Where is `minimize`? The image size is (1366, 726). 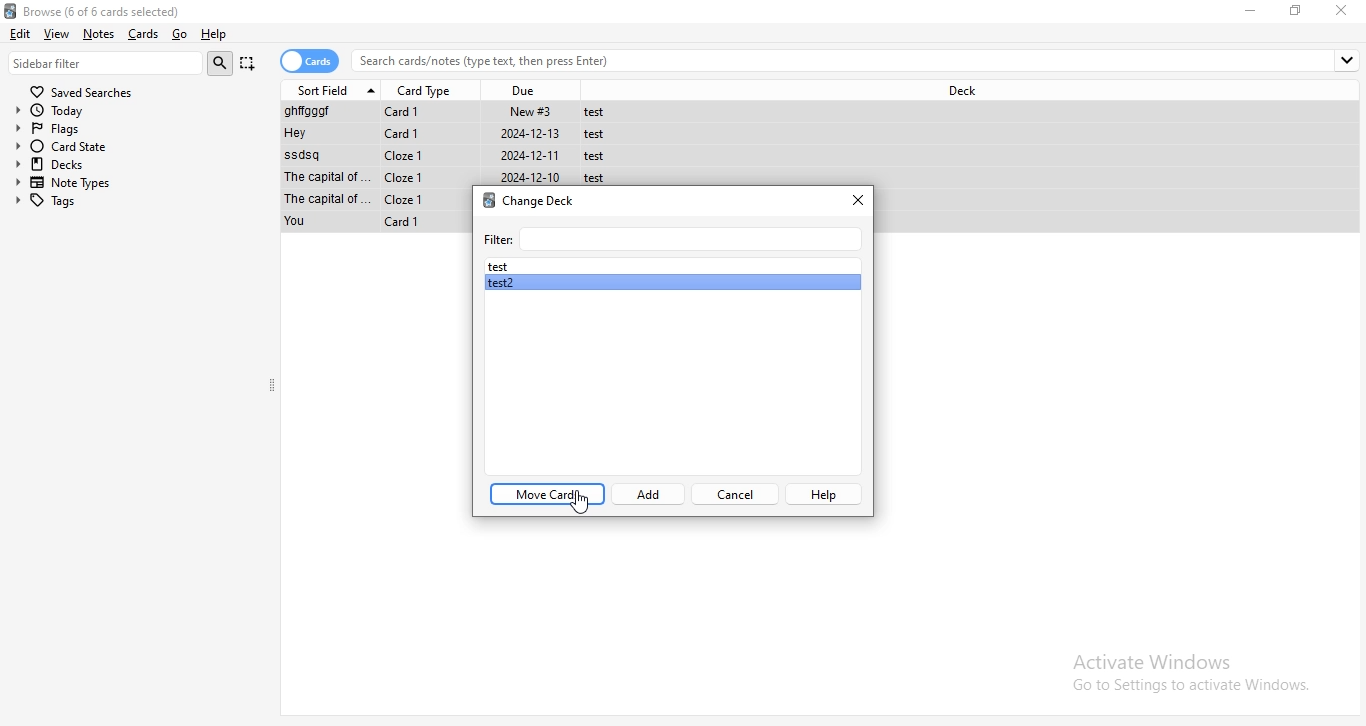
minimize is located at coordinates (1252, 10).